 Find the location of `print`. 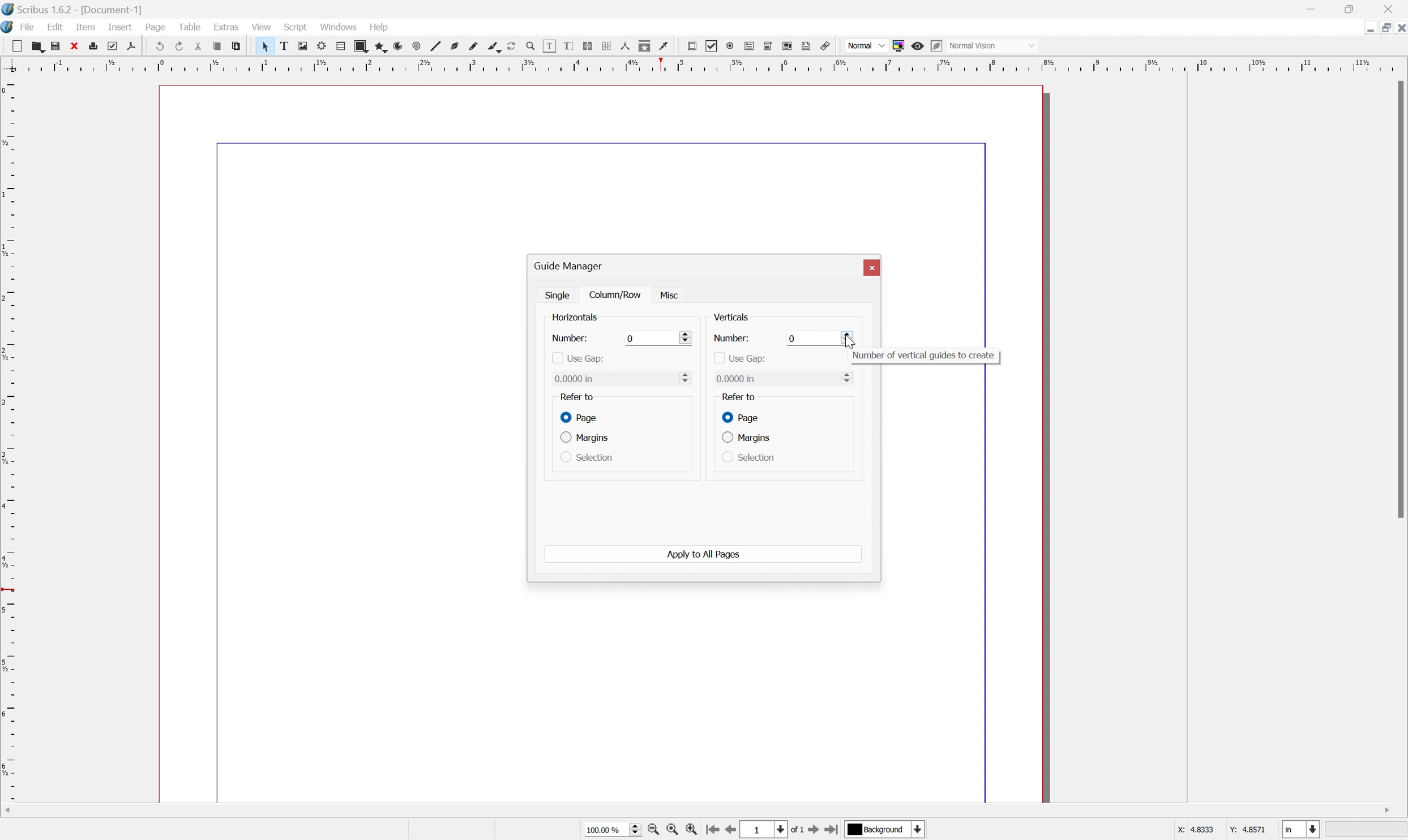

print is located at coordinates (99, 48).